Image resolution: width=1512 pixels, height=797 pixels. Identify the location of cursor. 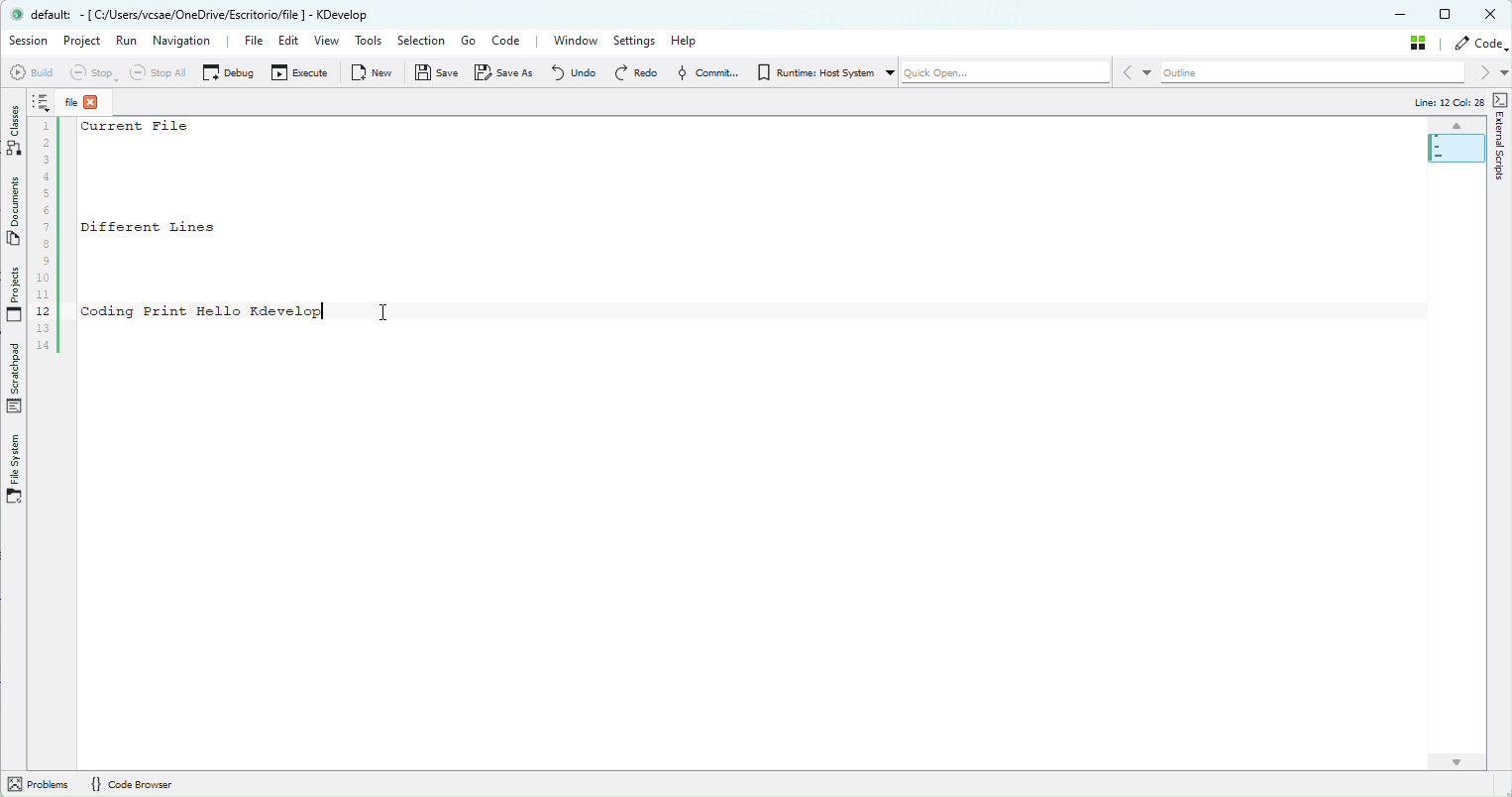
(377, 311).